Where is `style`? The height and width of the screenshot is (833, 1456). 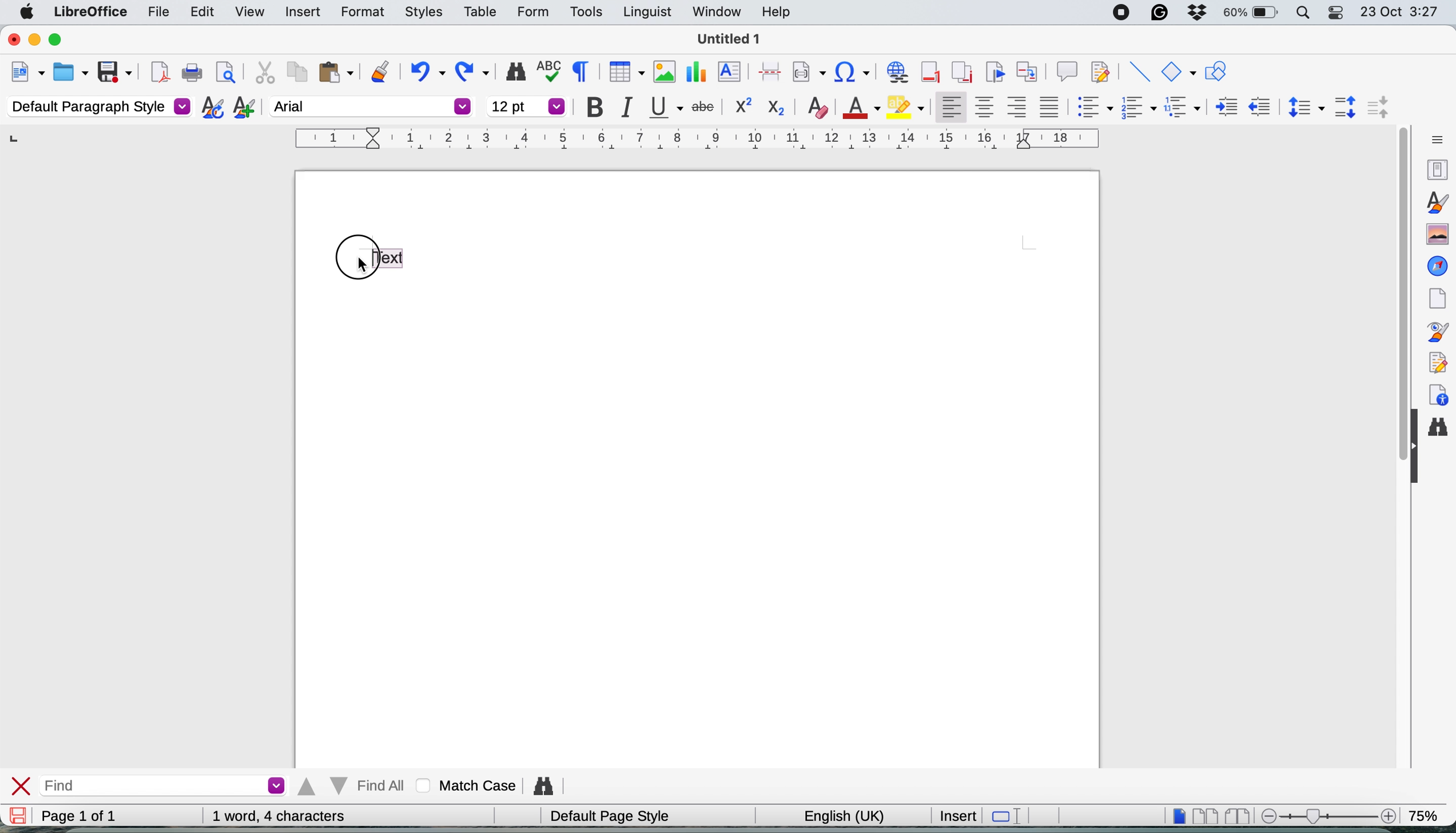
style is located at coordinates (696, 138).